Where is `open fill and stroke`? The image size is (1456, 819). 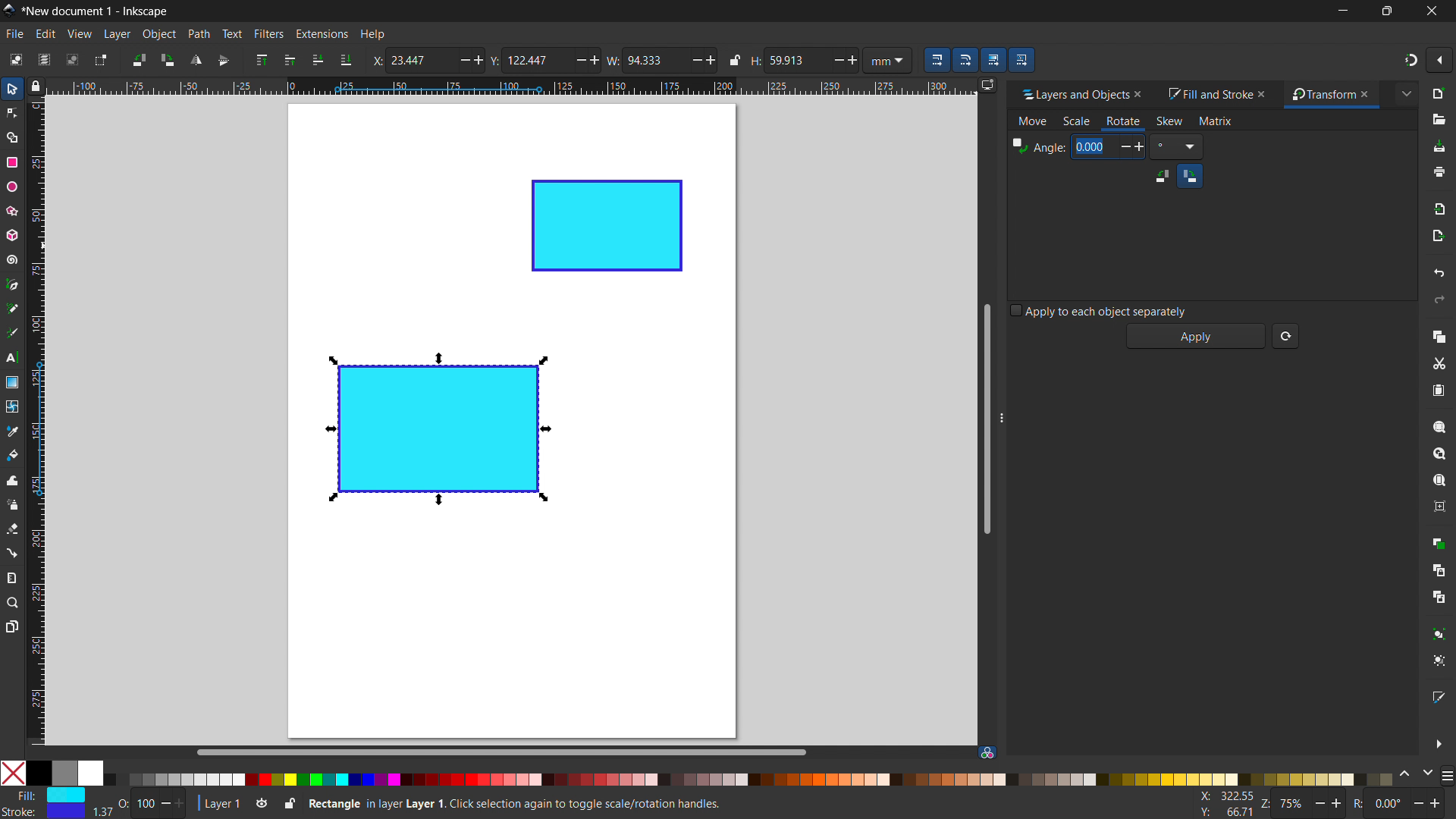 open fill and stroke is located at coordinates (1440, 696).